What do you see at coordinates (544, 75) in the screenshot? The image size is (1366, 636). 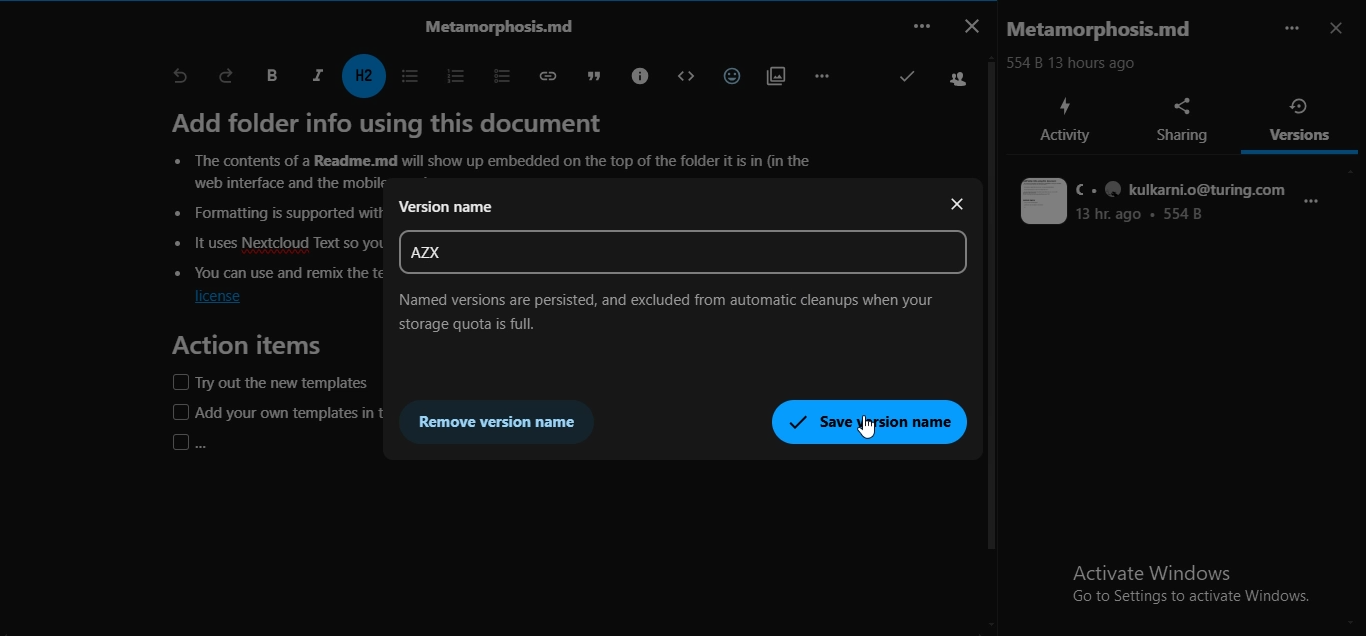 I see `insert link` at bounding box center [544, 75].